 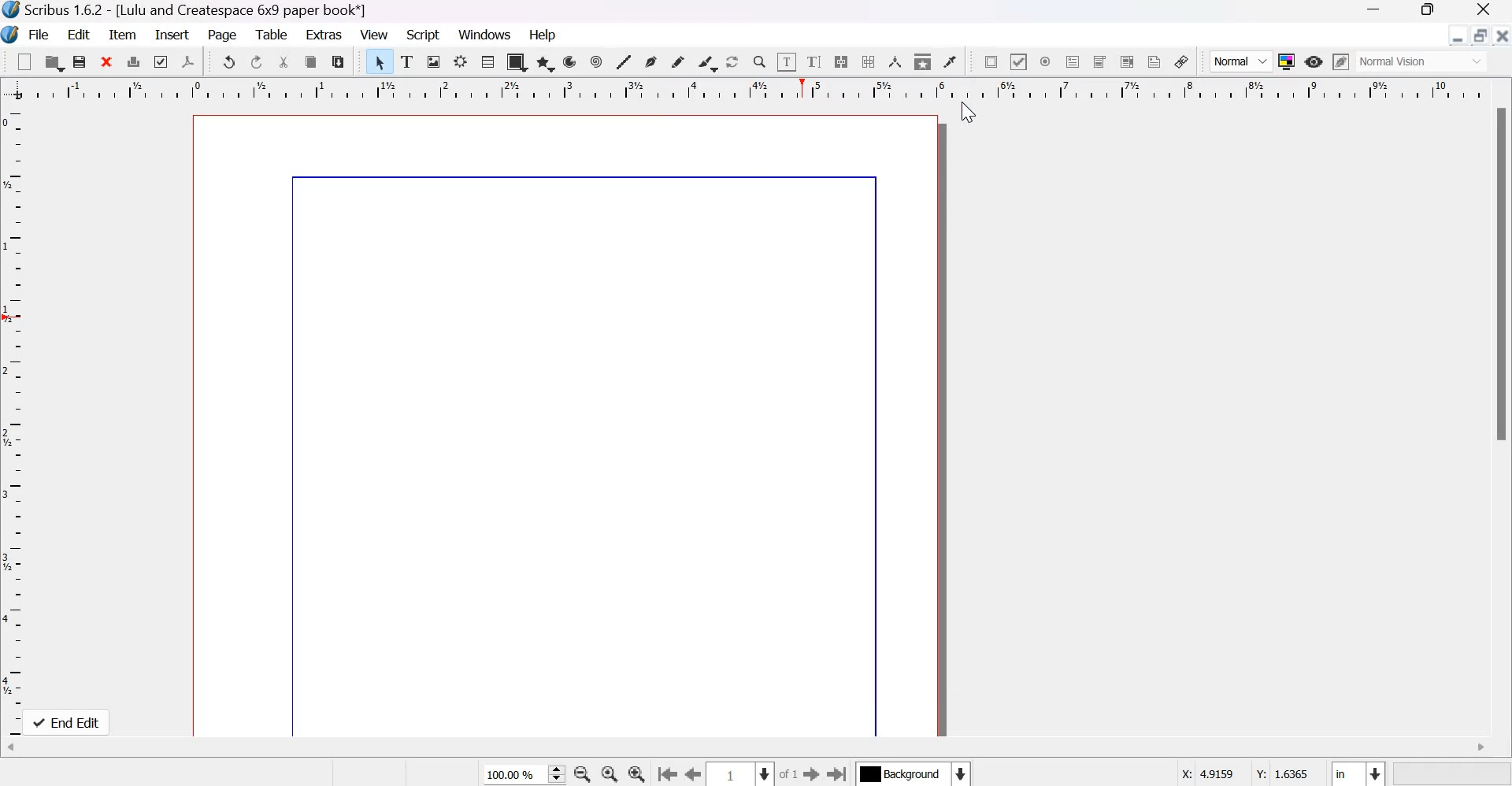 I want to click on Go to the previous page, so click(x=690, y=773).